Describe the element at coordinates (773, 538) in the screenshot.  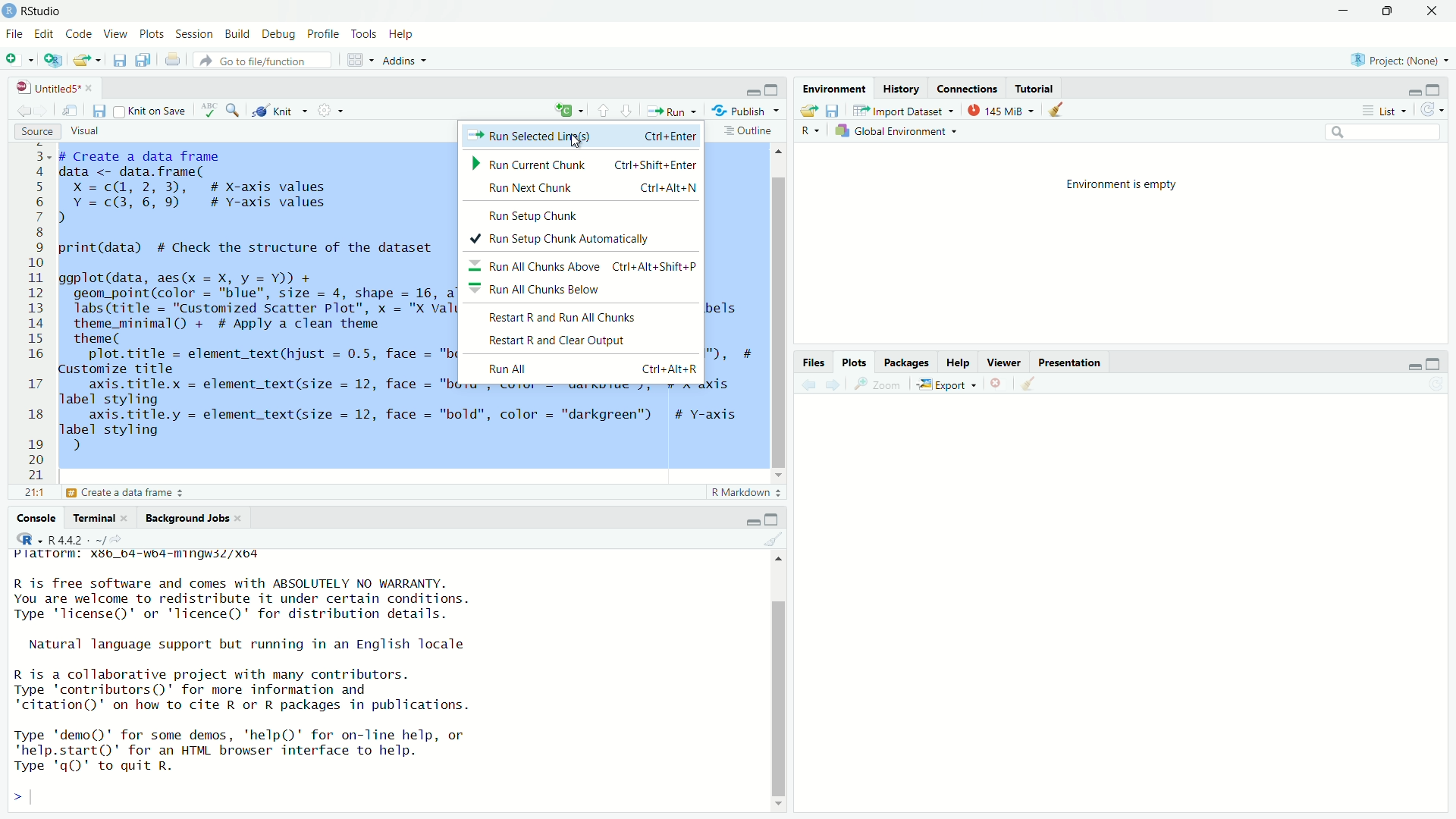
I see `Clear console` at that location.